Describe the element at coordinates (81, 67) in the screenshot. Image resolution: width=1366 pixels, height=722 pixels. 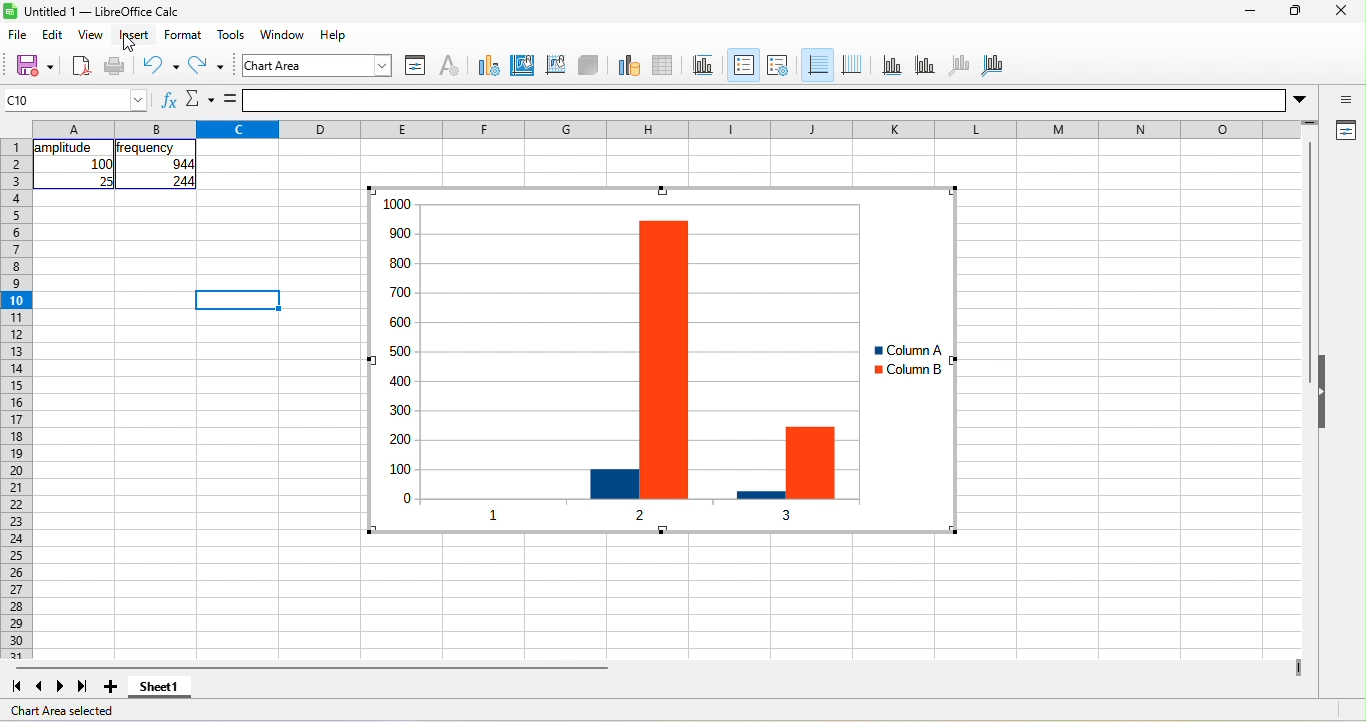
I see `export directly as pdf` at that location.